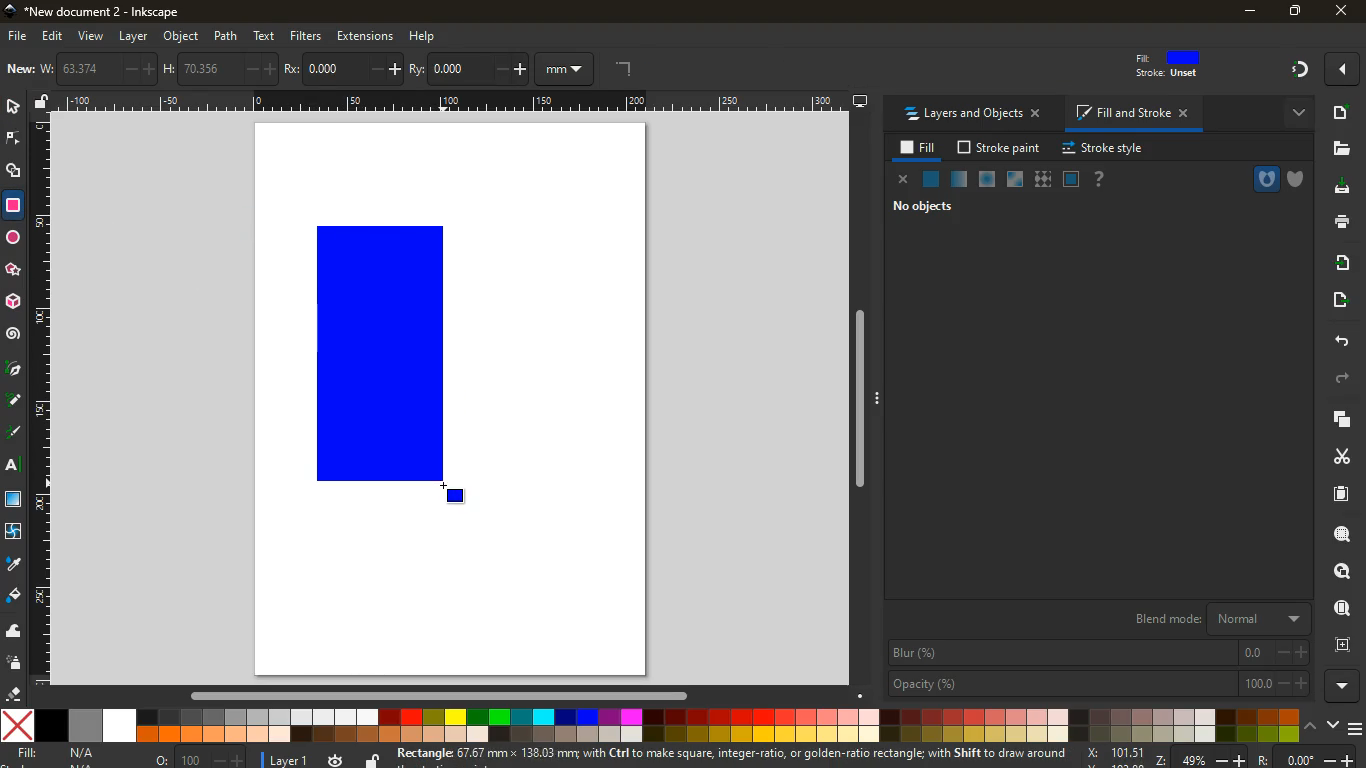 This screenshot has height=768, width=1366. Describe the element at coordinates (15, 208) in the screenshot. I see `rectangle tool` at that location.